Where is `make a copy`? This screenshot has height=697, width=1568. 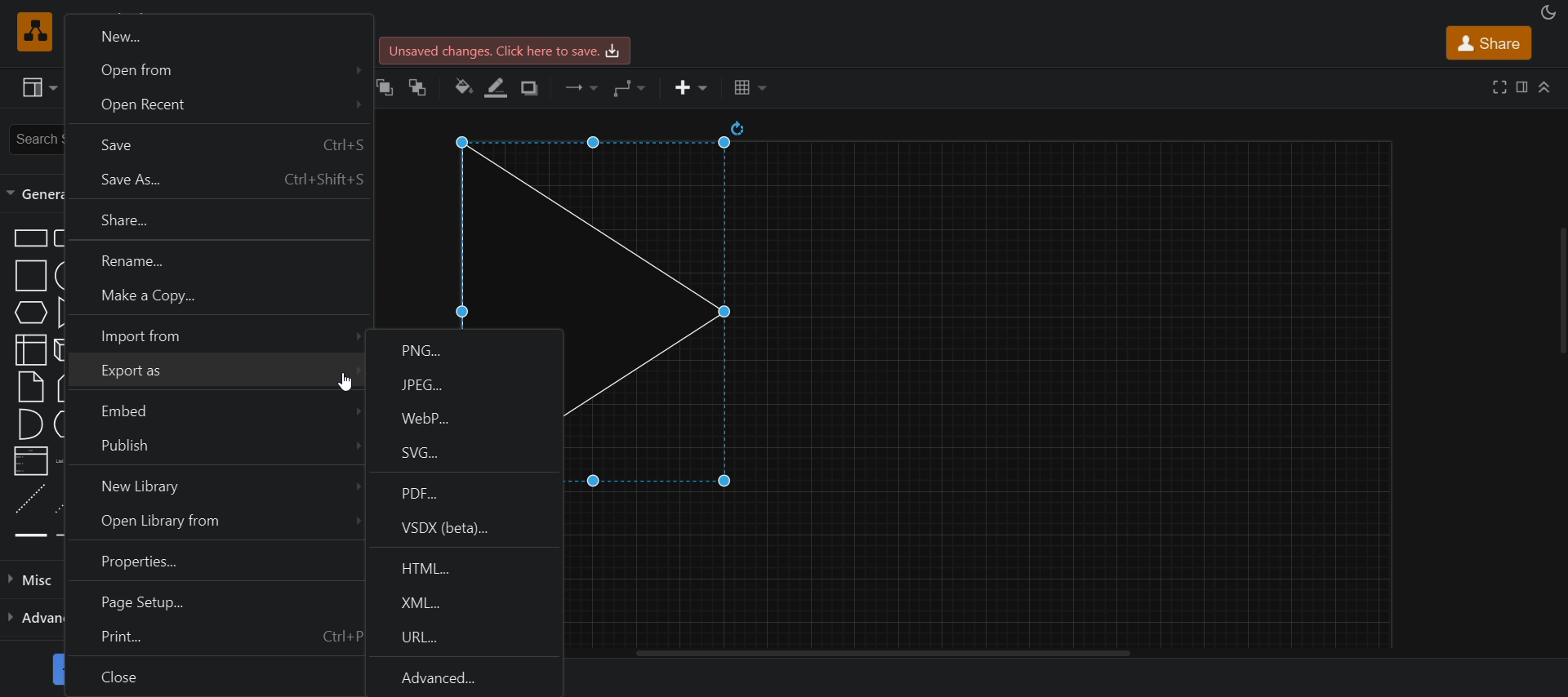
make a copy is located at coordinates (216, 300).